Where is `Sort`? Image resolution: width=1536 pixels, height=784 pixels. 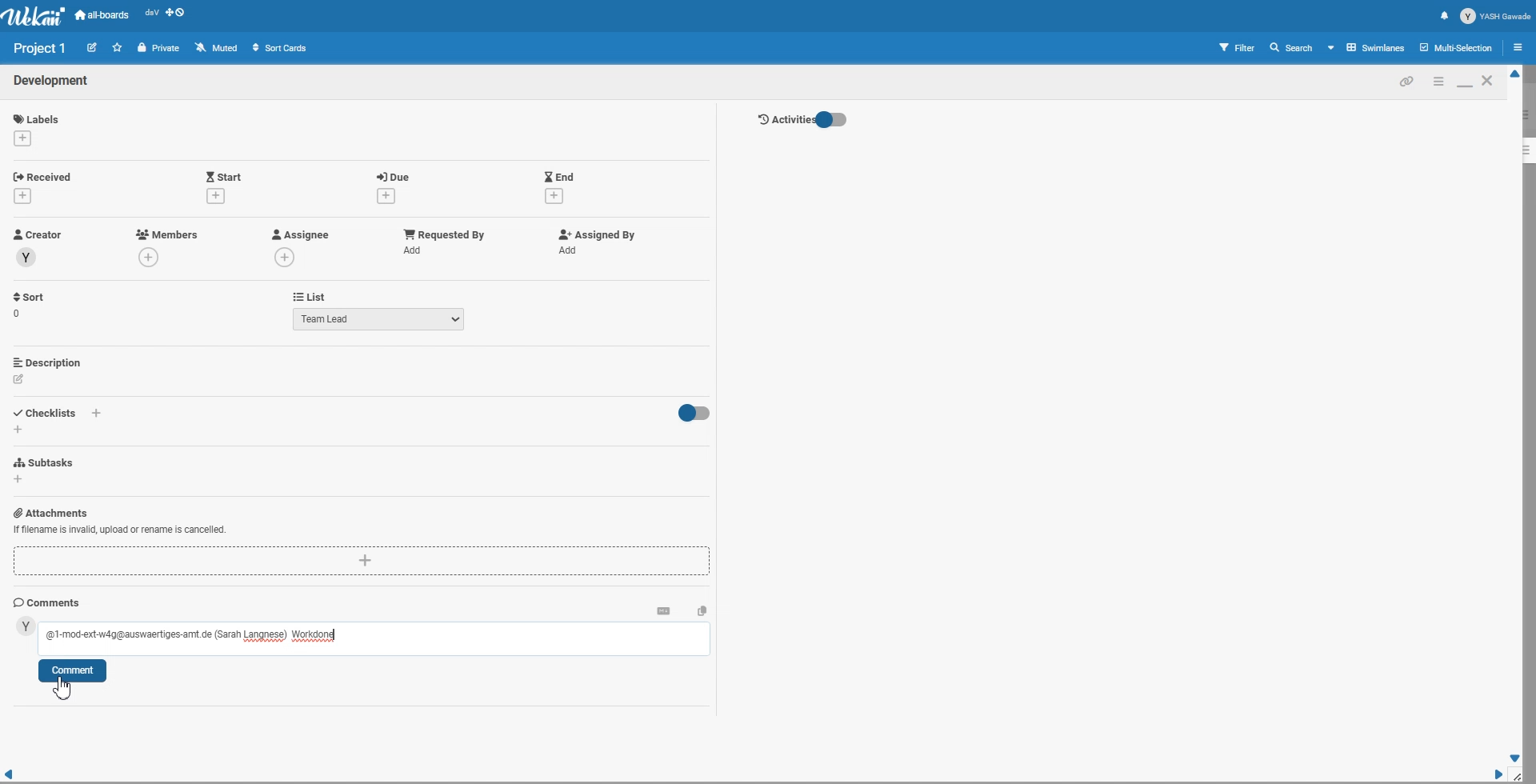
Sort is located at coordinates (30, 305).